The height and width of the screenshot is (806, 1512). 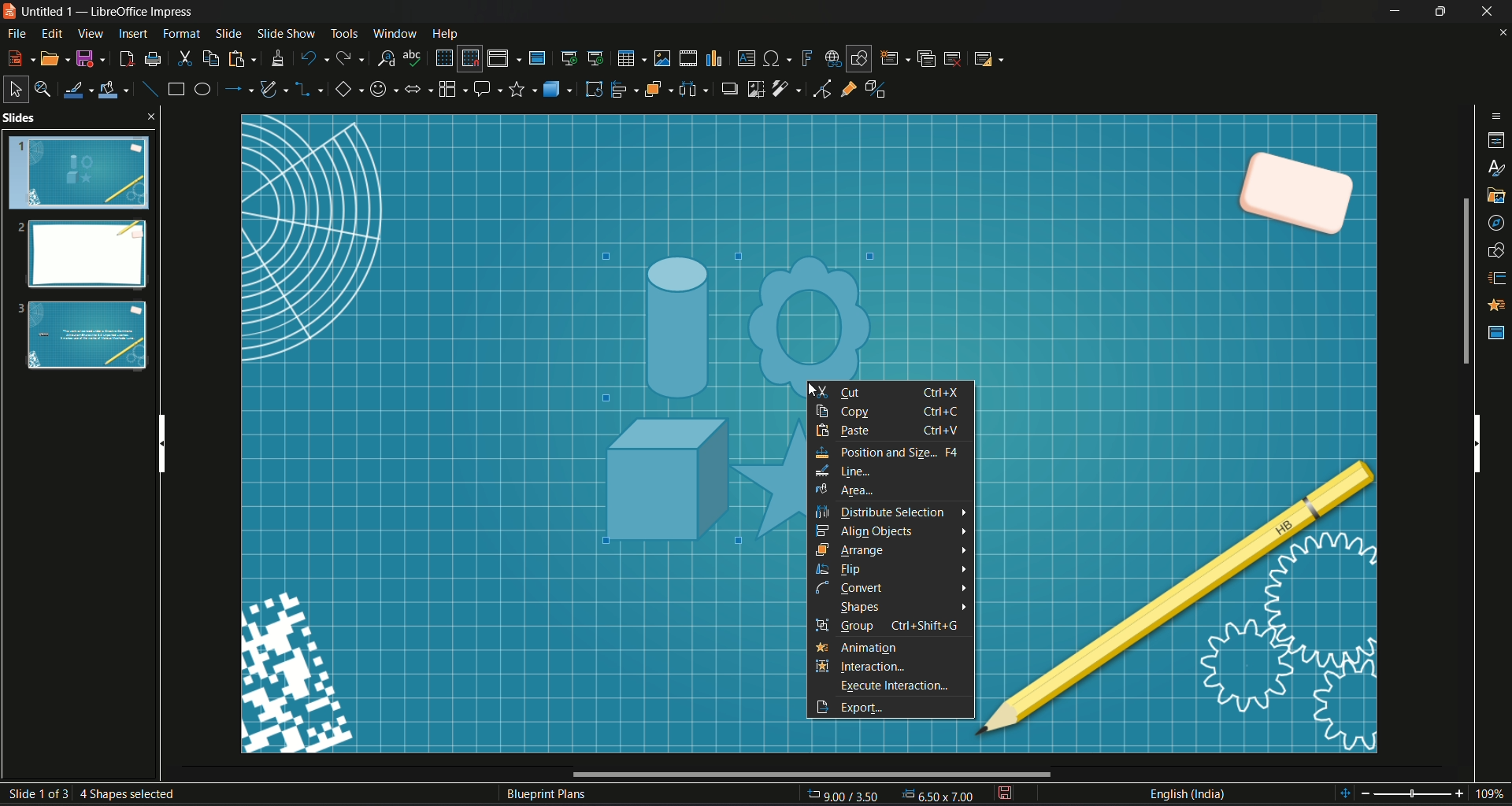 I want to click on flowchart, so click(x=451, y=89).